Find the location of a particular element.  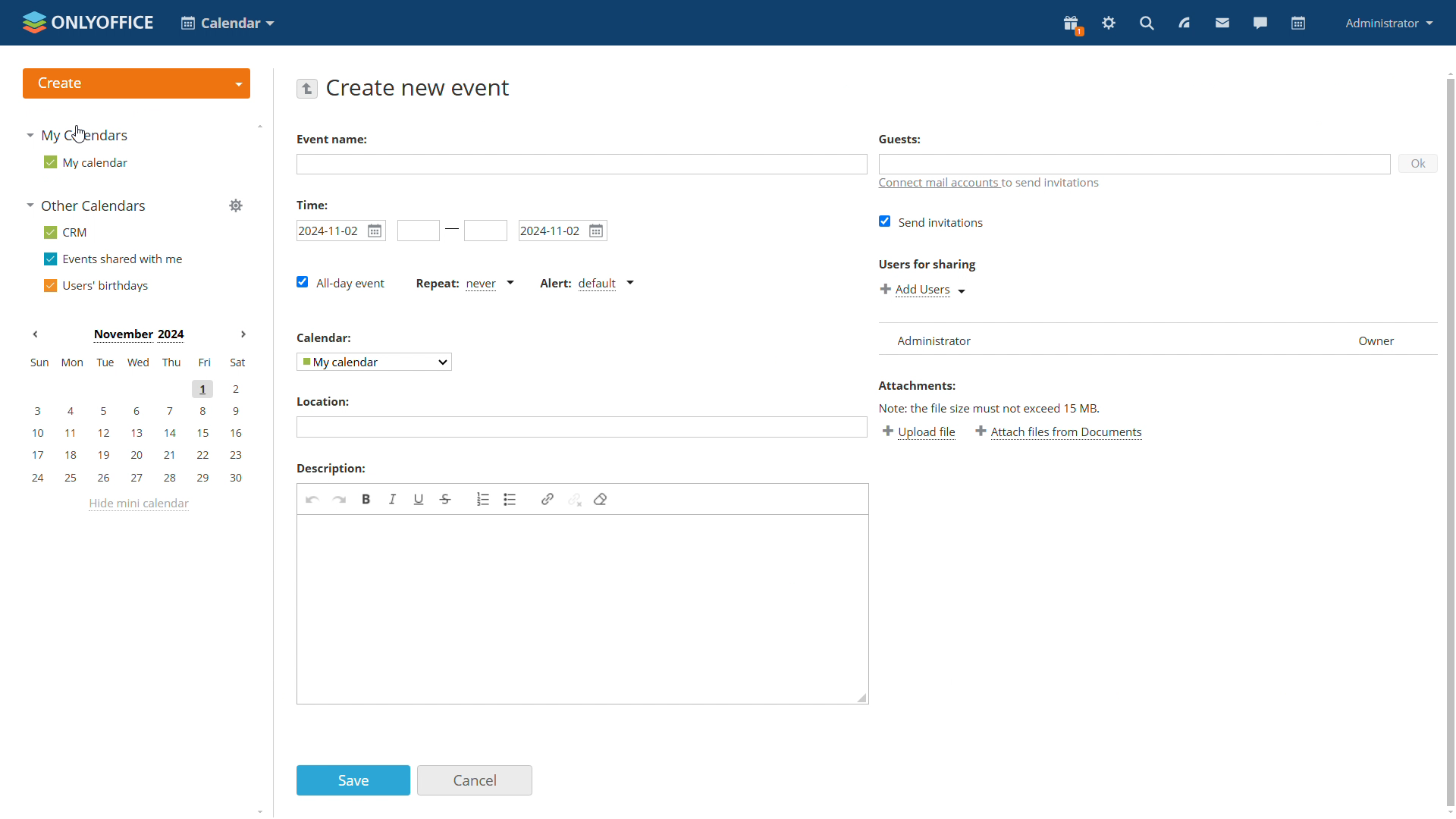

add location is located at coordinates (580, 426).